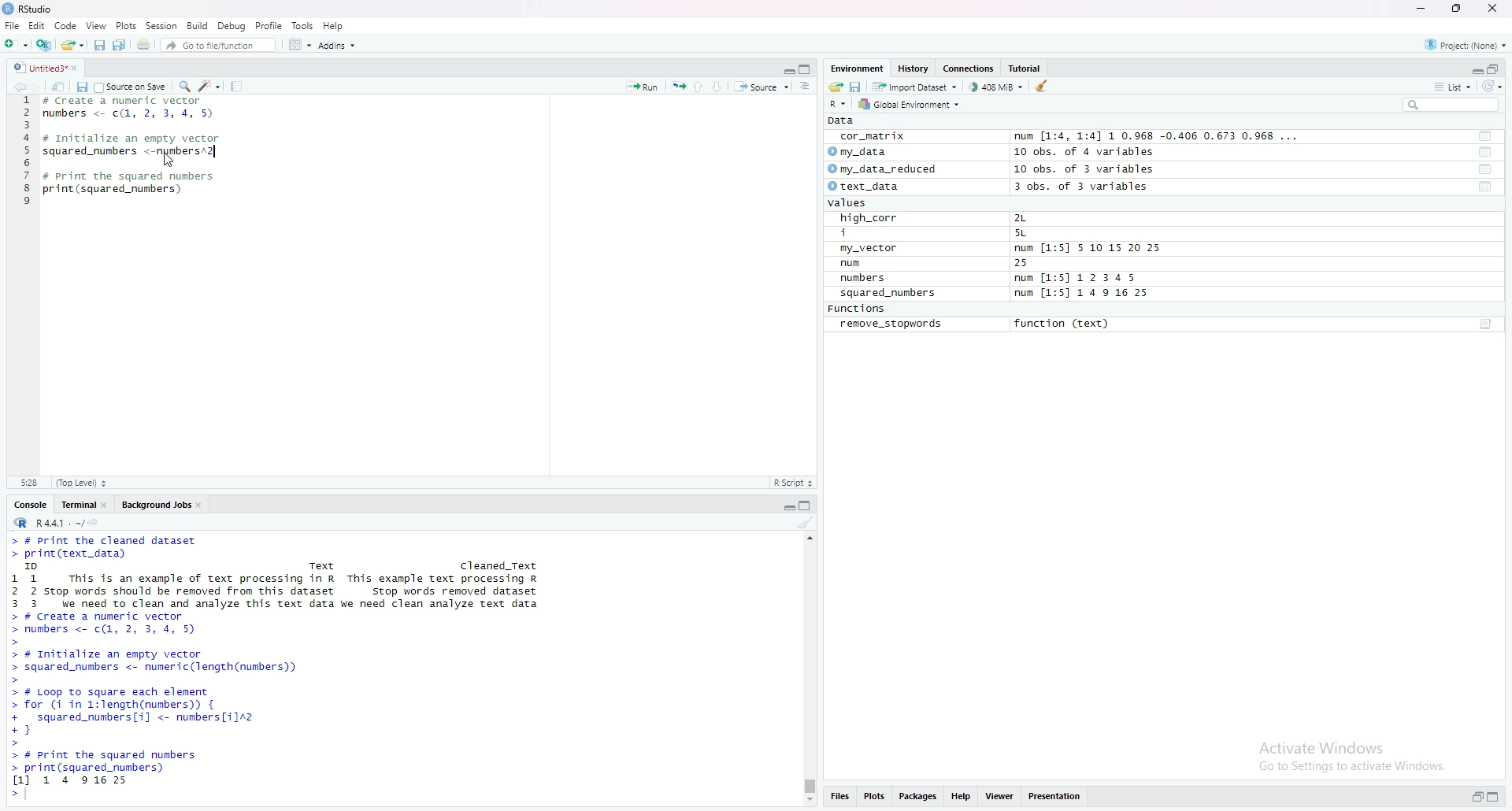  I want to click on (Top Level), so click(81, 483).